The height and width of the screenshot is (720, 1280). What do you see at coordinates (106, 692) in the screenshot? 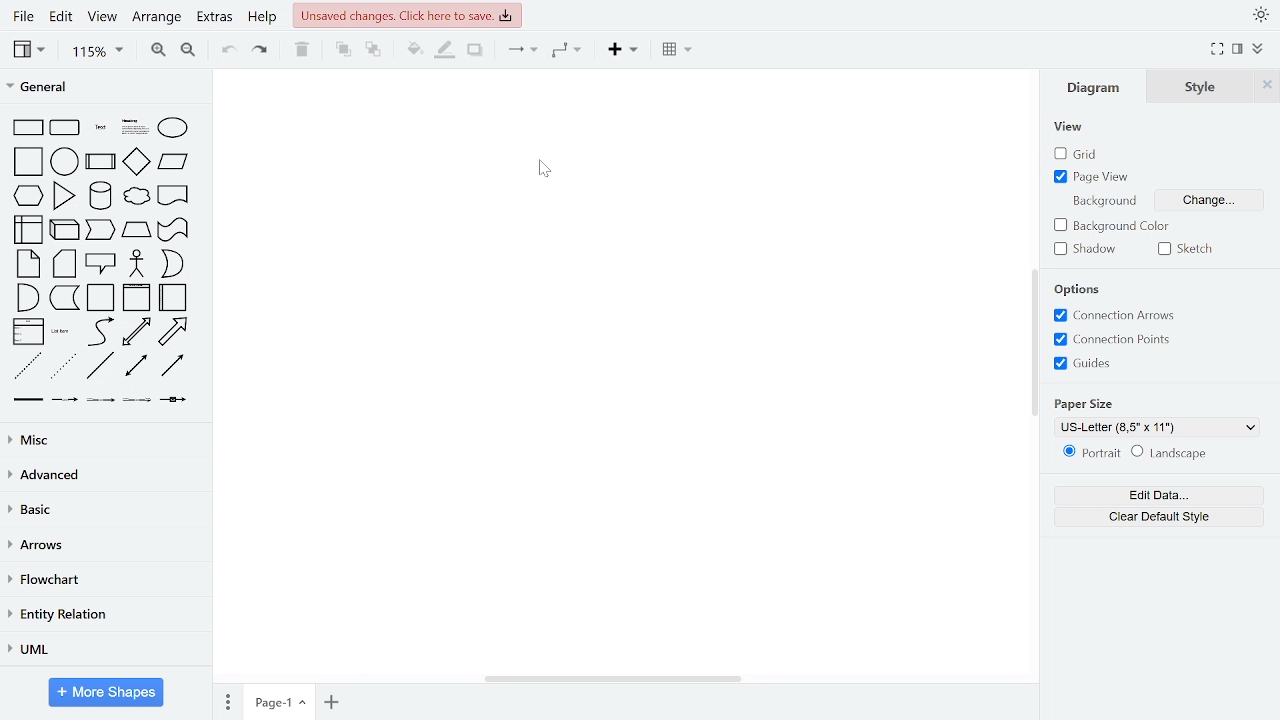
I see `more shapes` at bounding box center [106, 692].